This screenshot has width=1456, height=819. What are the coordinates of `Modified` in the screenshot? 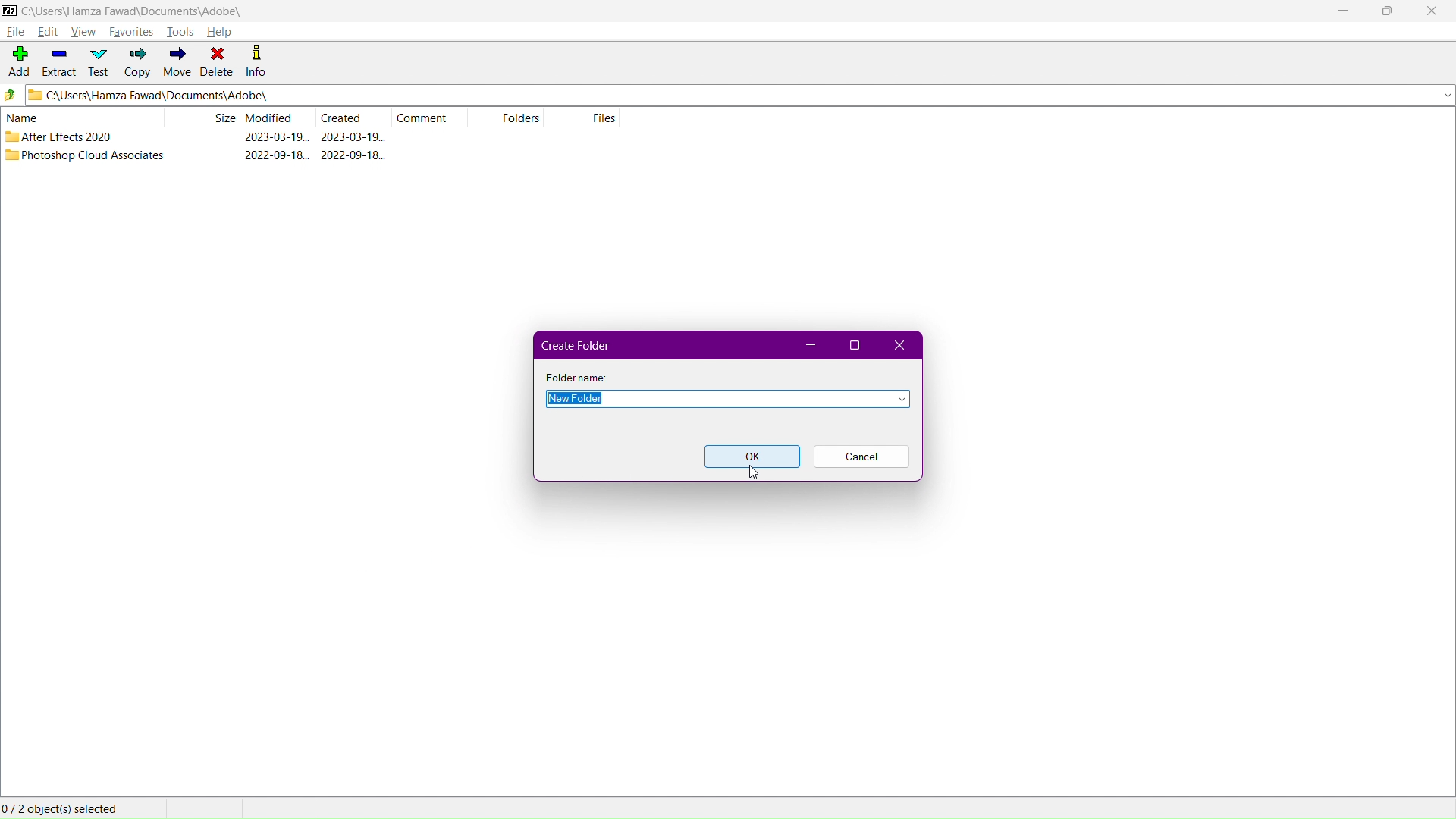 It's located at (277, 118).